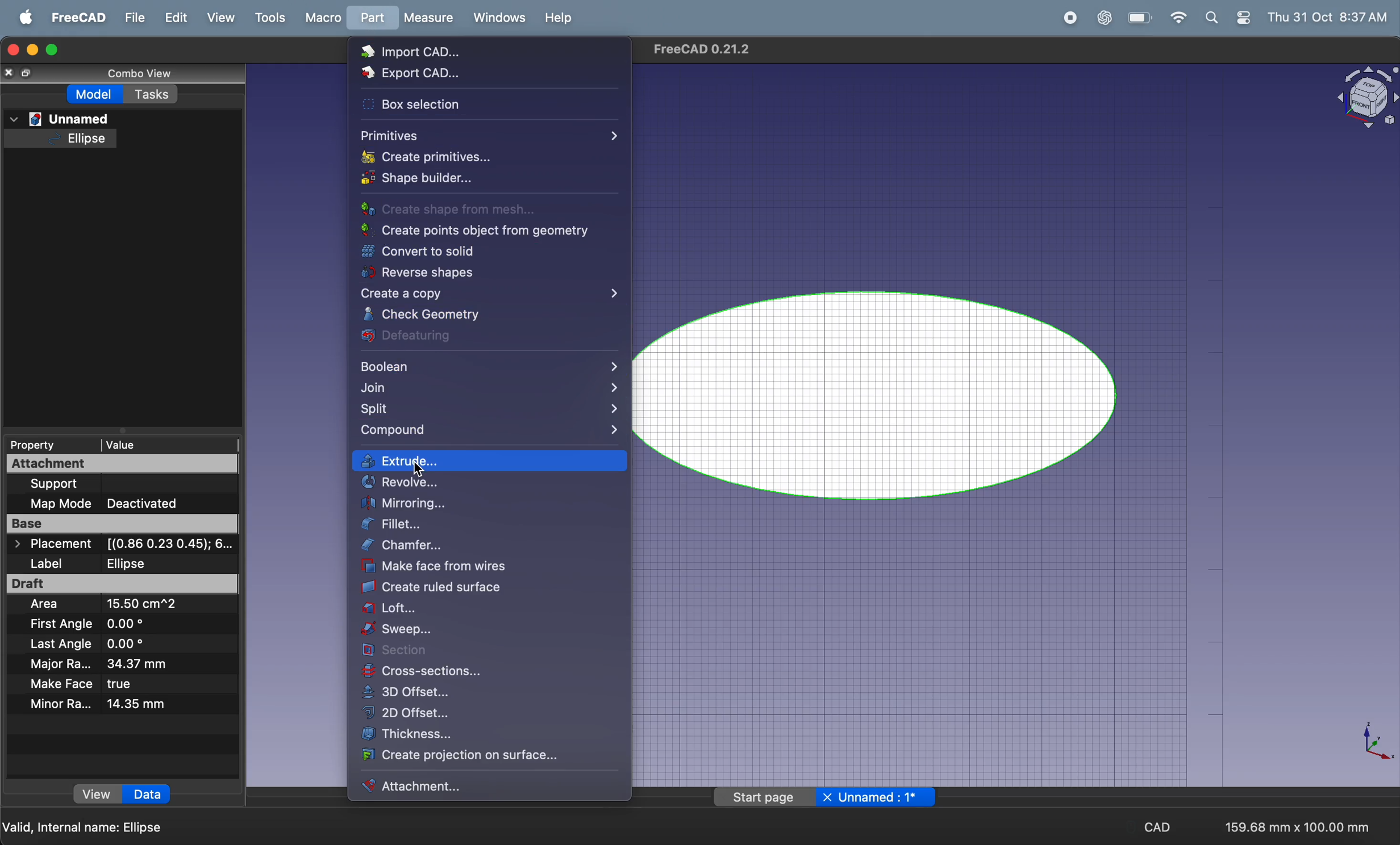 This screenshot has height=845, width=1400. Describe the element at coordinates (103, 704) in the screenshot. I see `minor radius` at that location.